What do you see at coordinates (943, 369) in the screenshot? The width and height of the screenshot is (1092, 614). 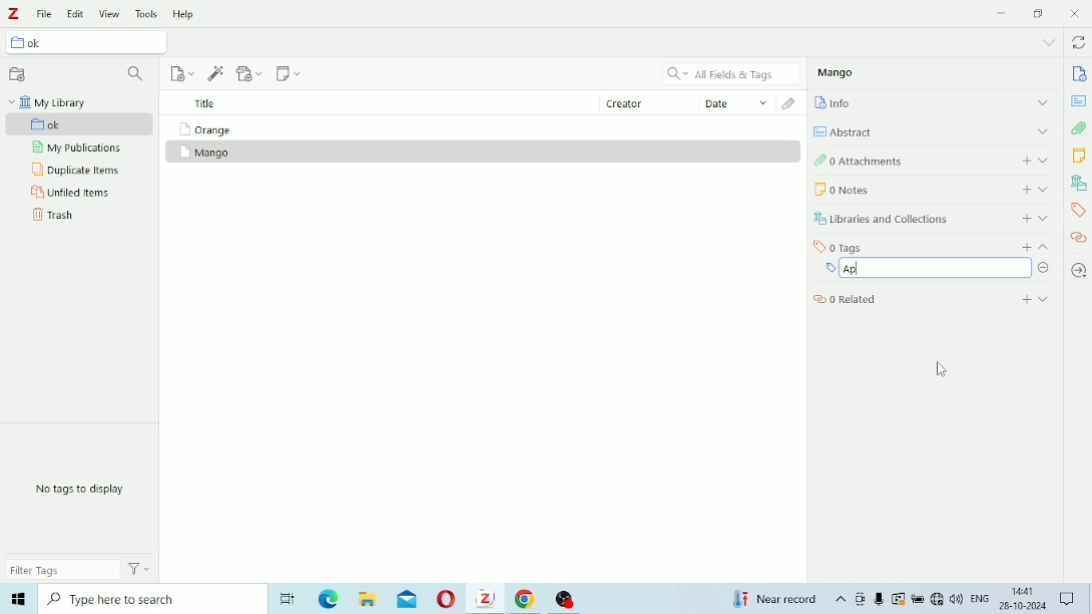 I see `Cursor` at bounding box center [943, 369].